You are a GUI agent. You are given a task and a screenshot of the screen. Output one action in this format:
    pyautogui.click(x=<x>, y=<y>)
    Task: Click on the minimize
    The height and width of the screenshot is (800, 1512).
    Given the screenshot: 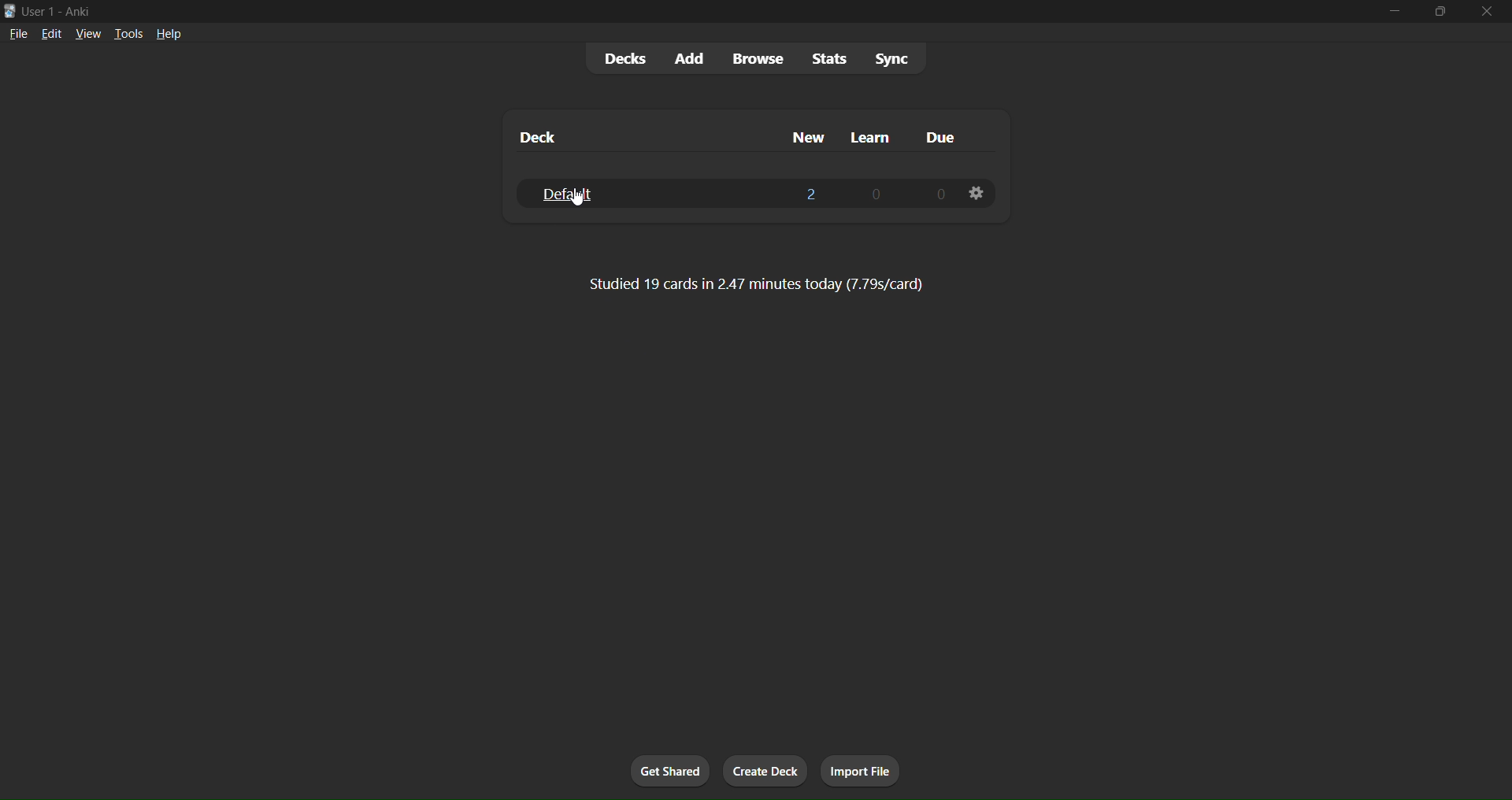 What is the action you would take?
    pyautogui.click(x=1397, y=17)
    